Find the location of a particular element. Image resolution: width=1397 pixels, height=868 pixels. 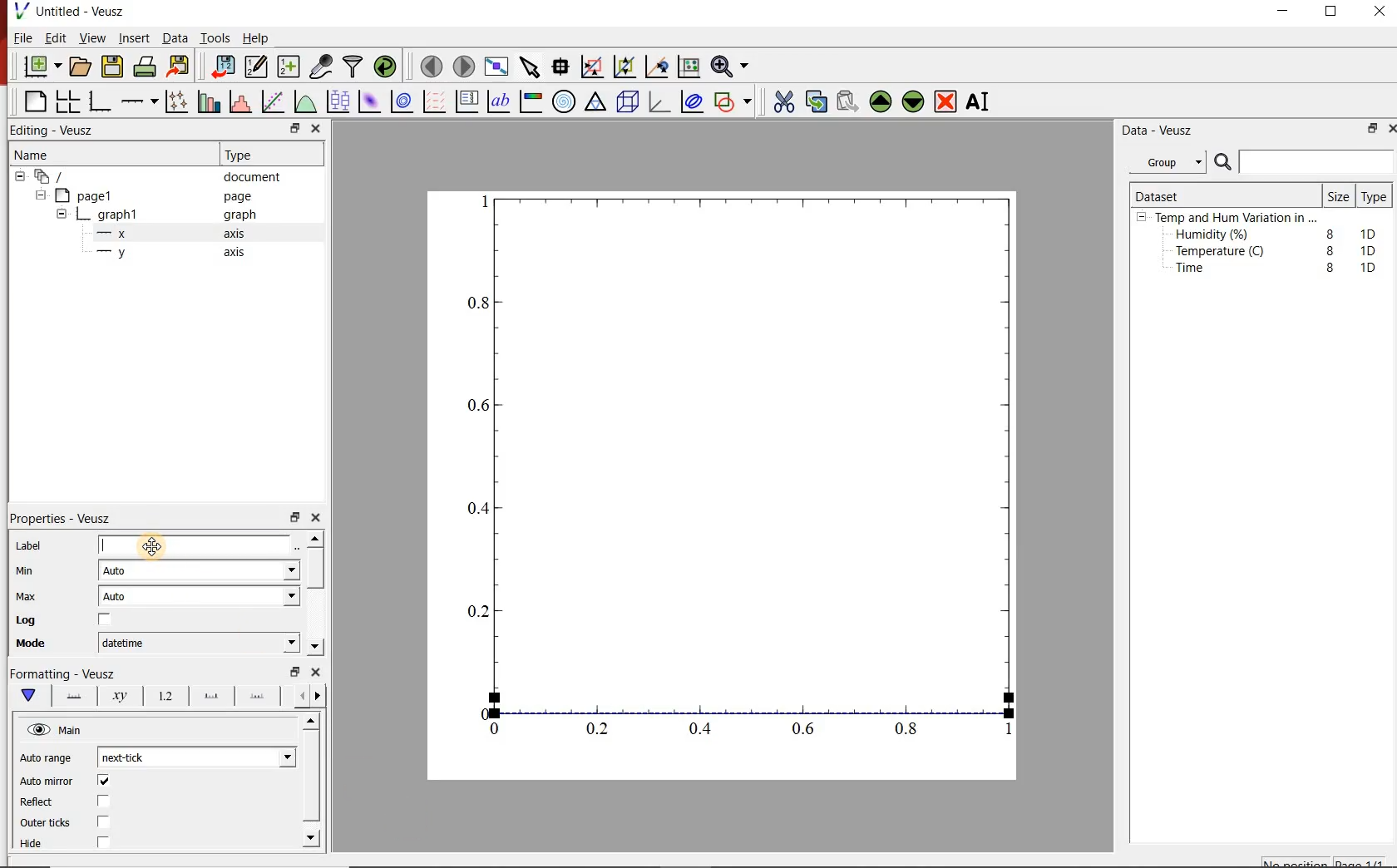

restore down is located at coordinates (284, 128).